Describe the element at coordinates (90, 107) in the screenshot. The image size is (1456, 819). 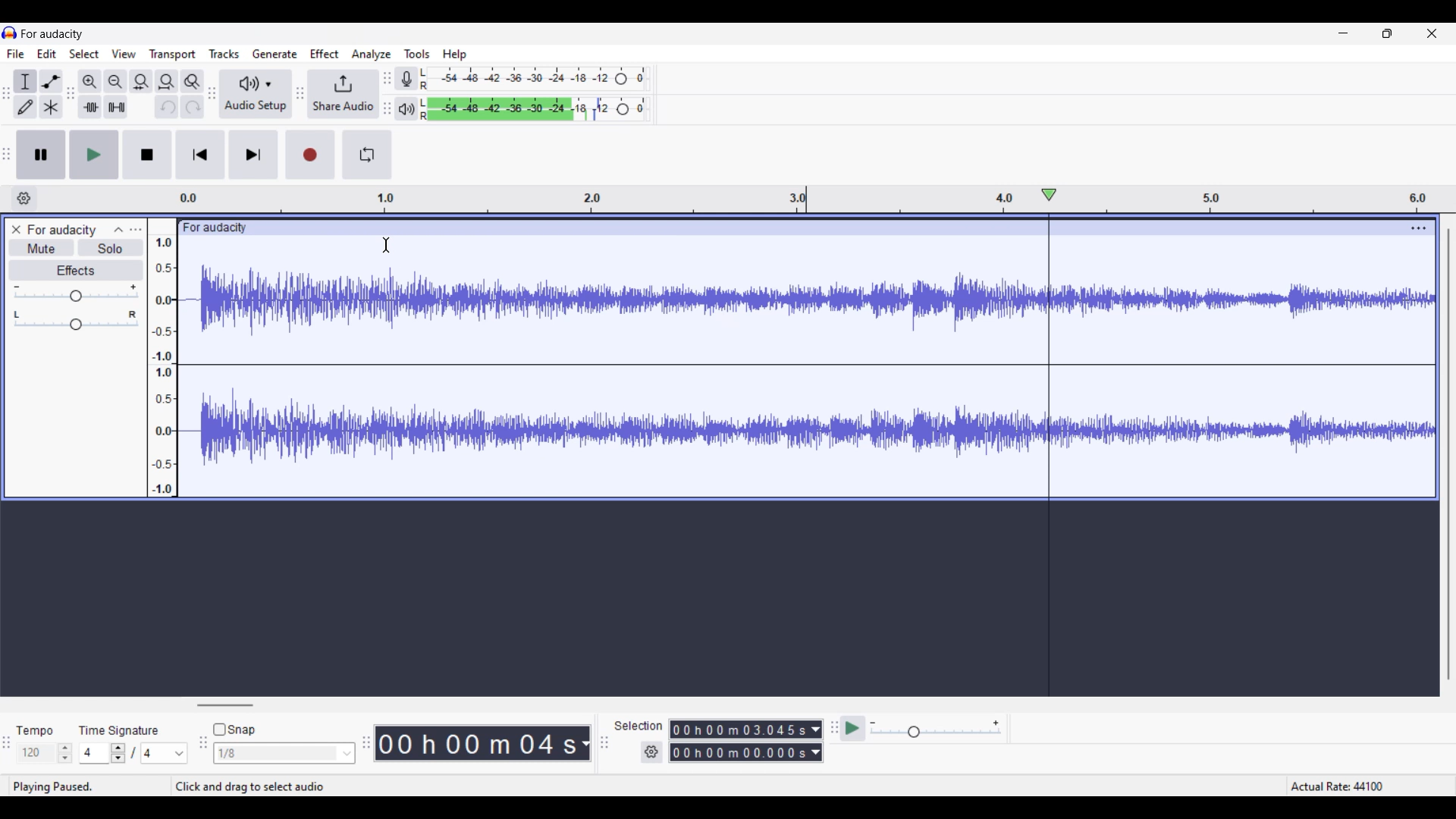
I see `Trim audio outside selection` at that location.